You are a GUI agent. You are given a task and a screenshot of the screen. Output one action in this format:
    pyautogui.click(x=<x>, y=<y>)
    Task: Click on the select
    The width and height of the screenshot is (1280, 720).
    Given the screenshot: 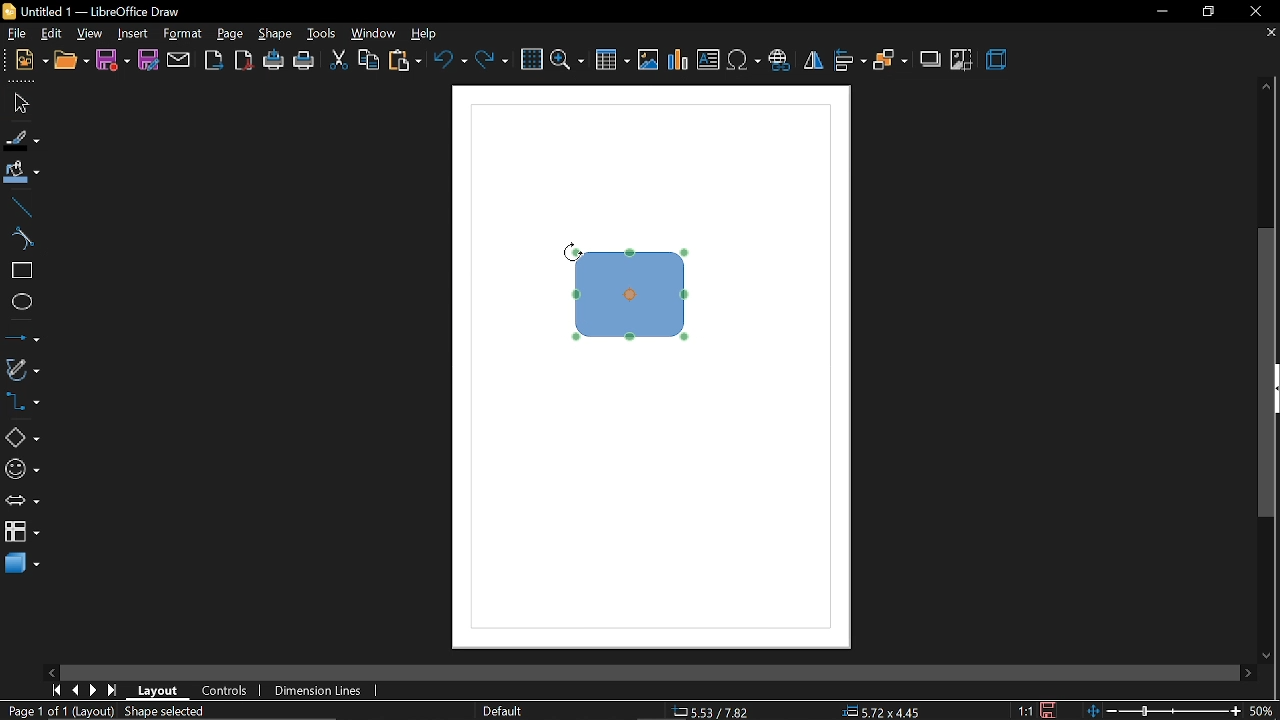 What is the action you would take?
    pyautogui.click(x=17, y=104)
    